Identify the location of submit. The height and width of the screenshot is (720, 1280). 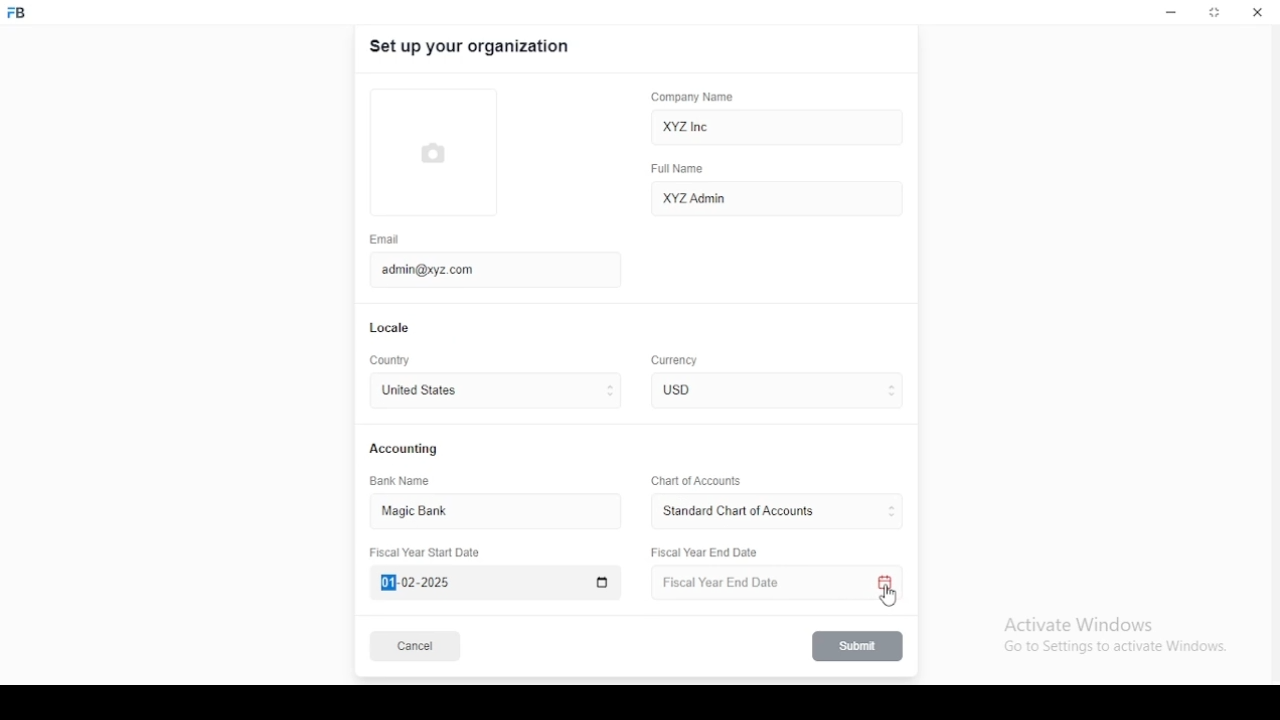
(859, 646).